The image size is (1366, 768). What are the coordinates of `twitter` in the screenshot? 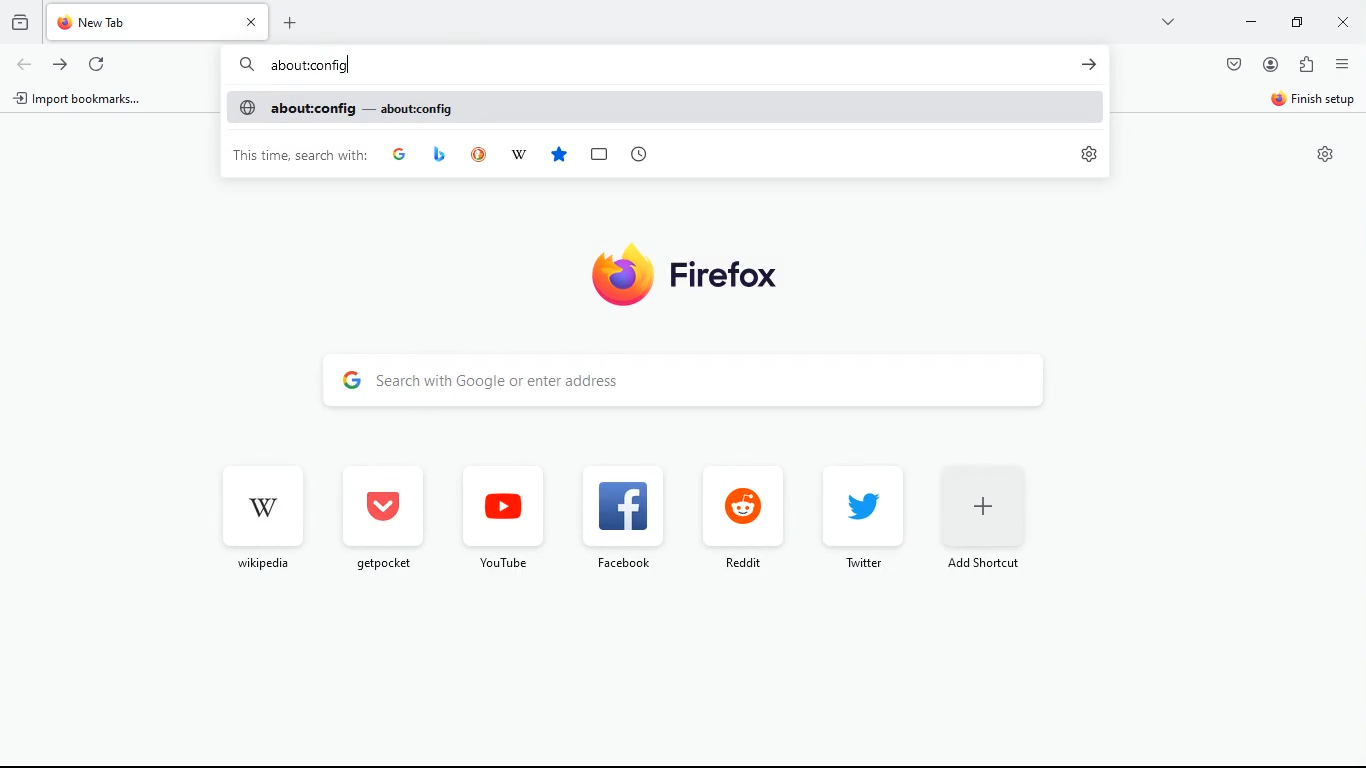 It's located at (855, 516).